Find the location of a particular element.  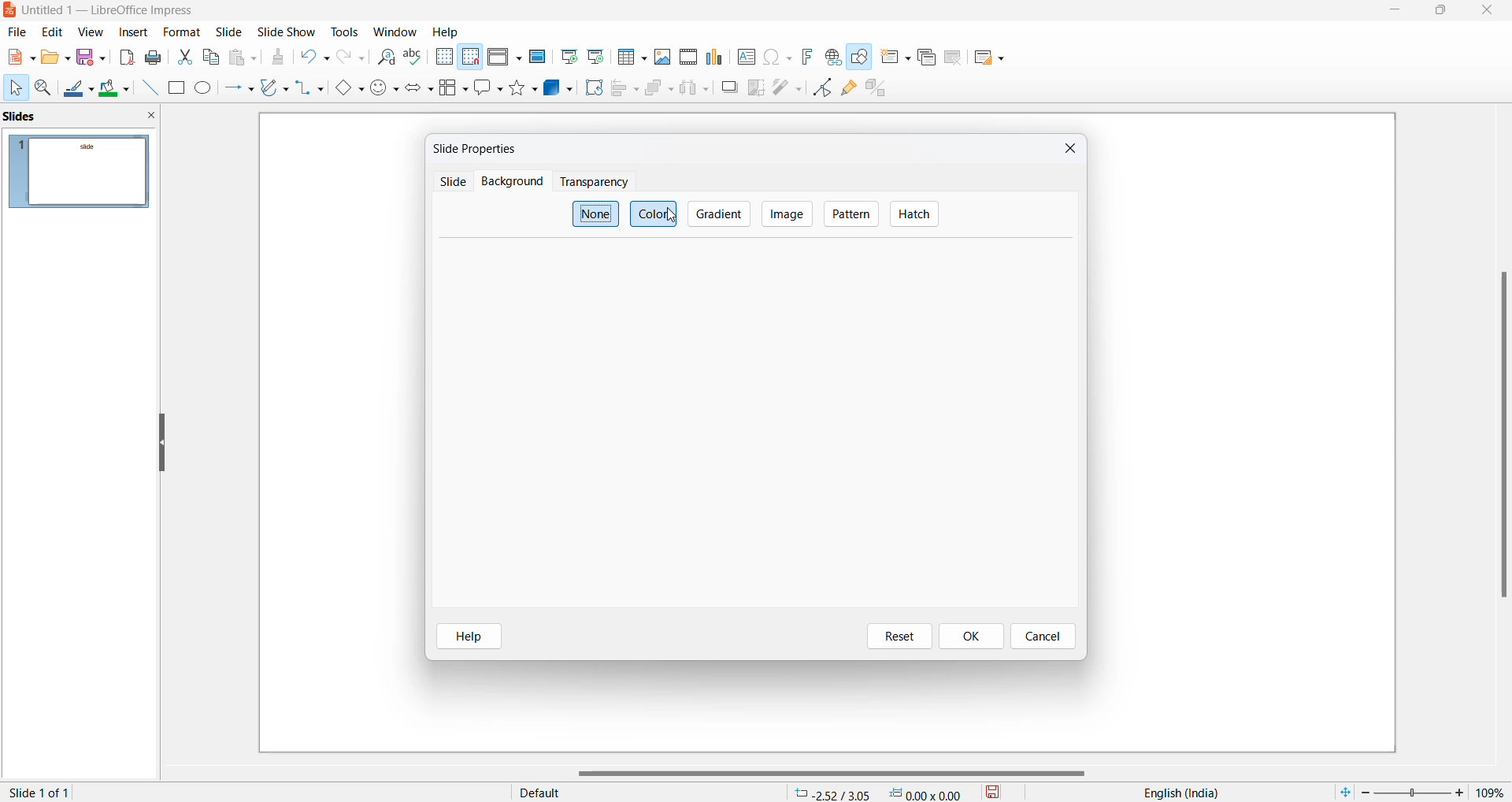

new slide is located at coordinates (895, 61).